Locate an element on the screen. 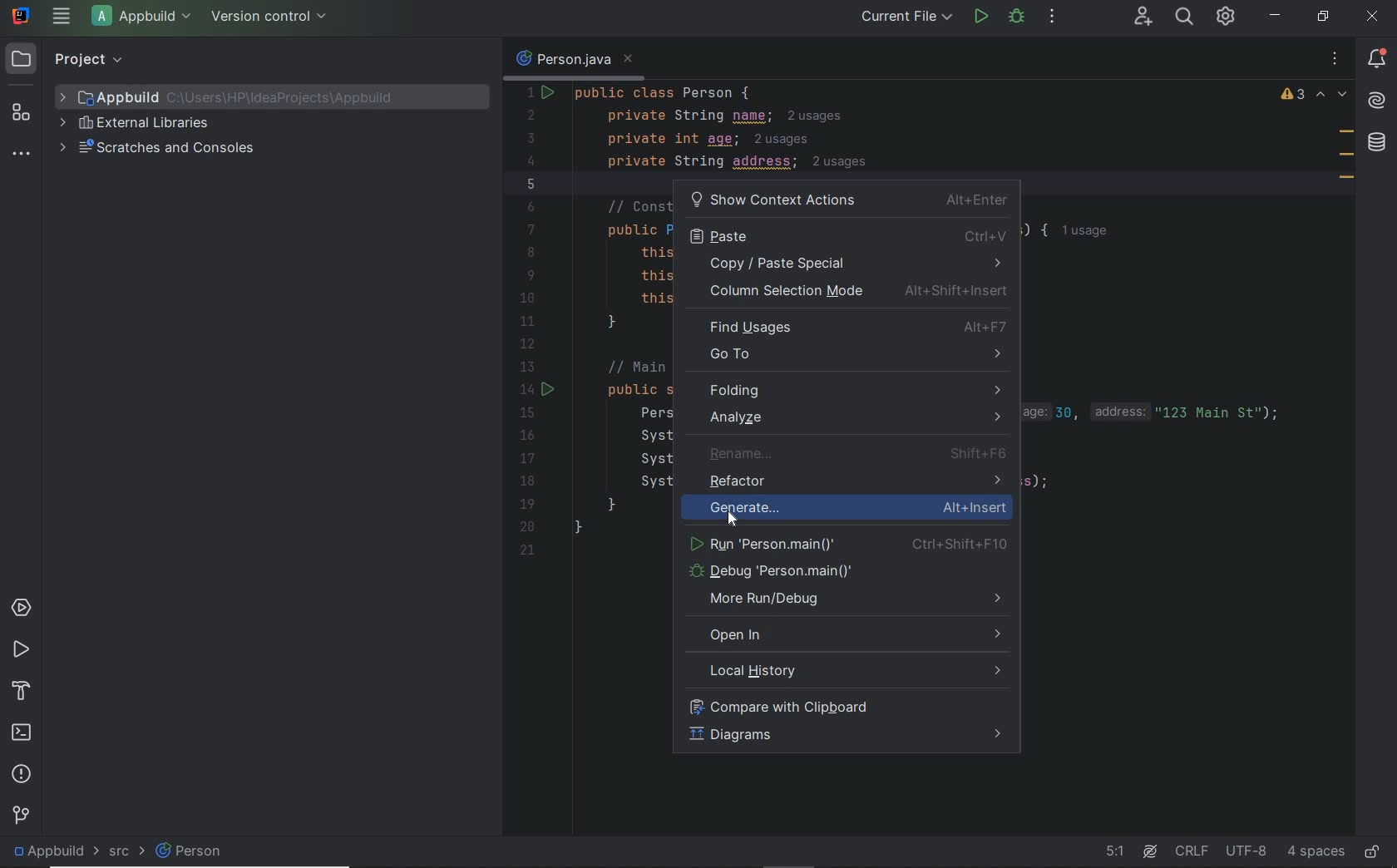 This screenshot has width=1397, height=868. external libraries is located at coordinates (136, 123).